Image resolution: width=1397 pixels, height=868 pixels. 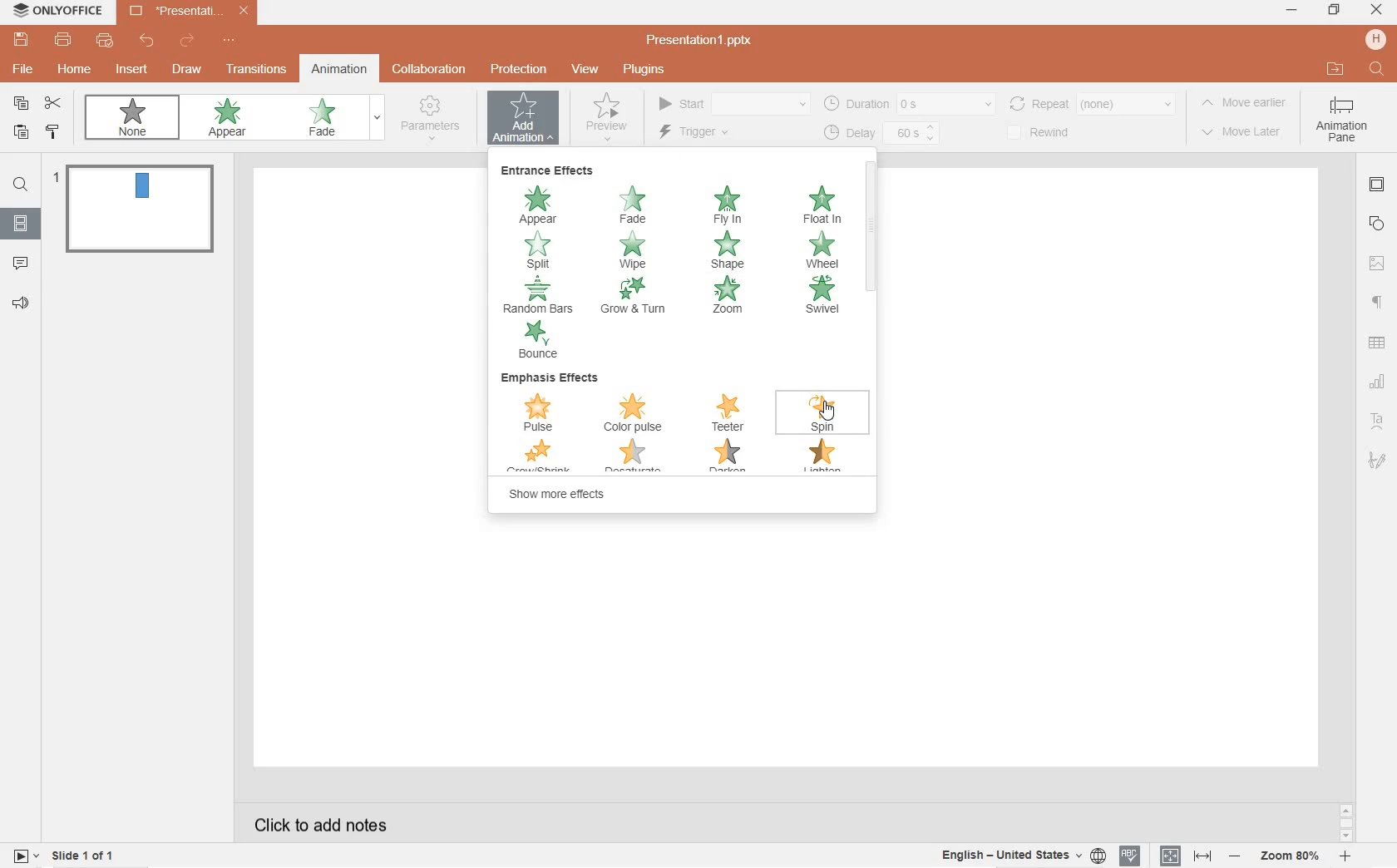 I want to click on signature, so click(x=1378, y=460).